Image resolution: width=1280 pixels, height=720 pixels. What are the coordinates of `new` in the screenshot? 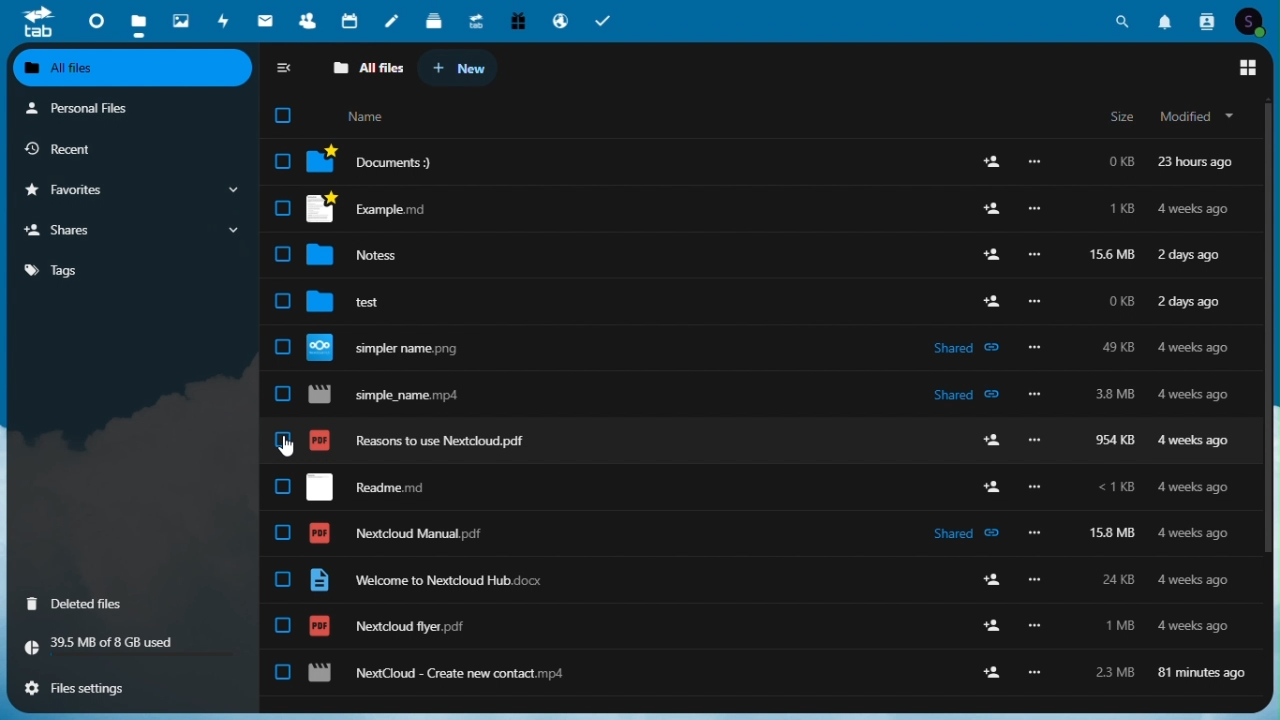 It's located at (466, 68).